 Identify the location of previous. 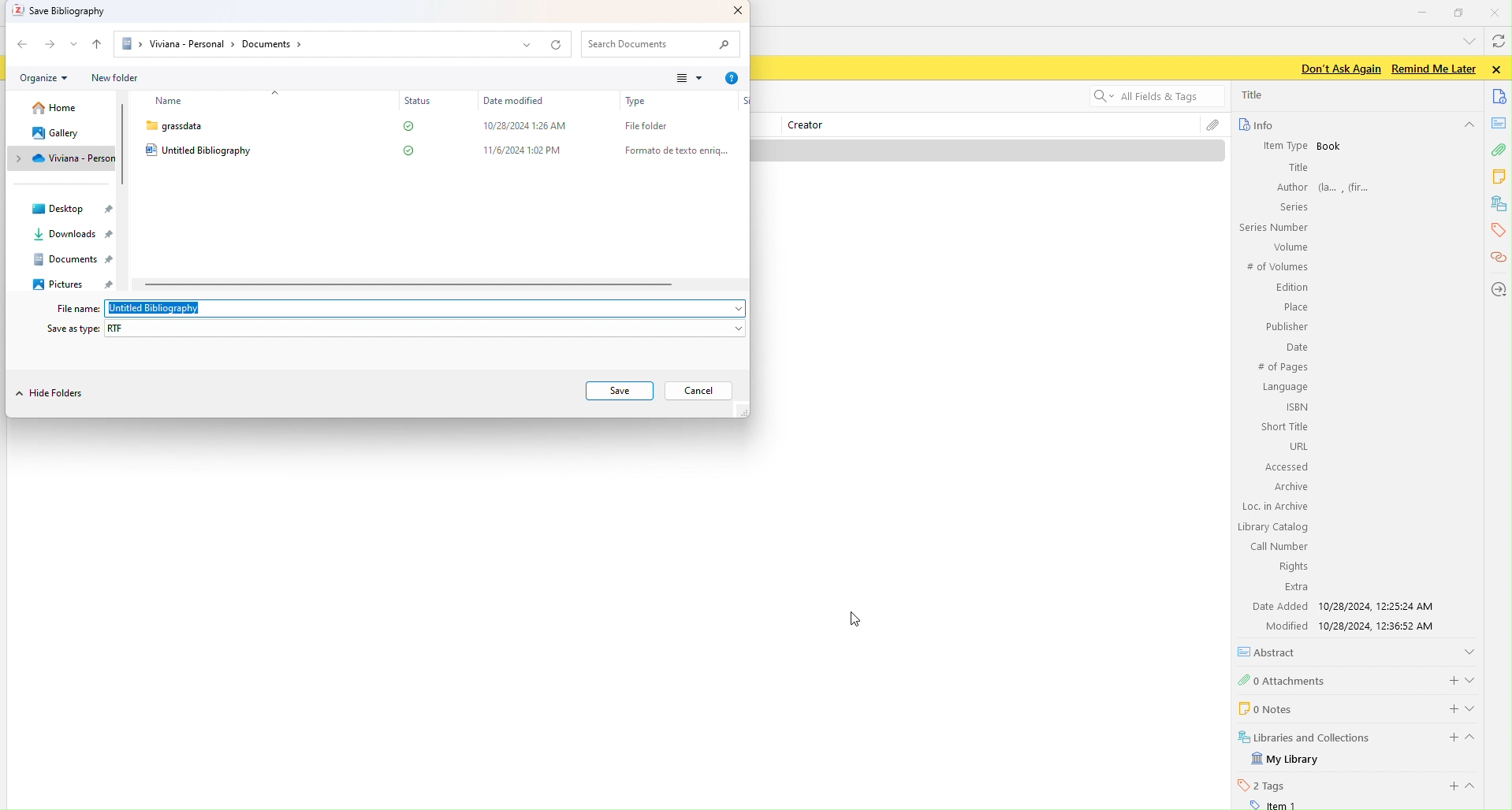
(21, 43).